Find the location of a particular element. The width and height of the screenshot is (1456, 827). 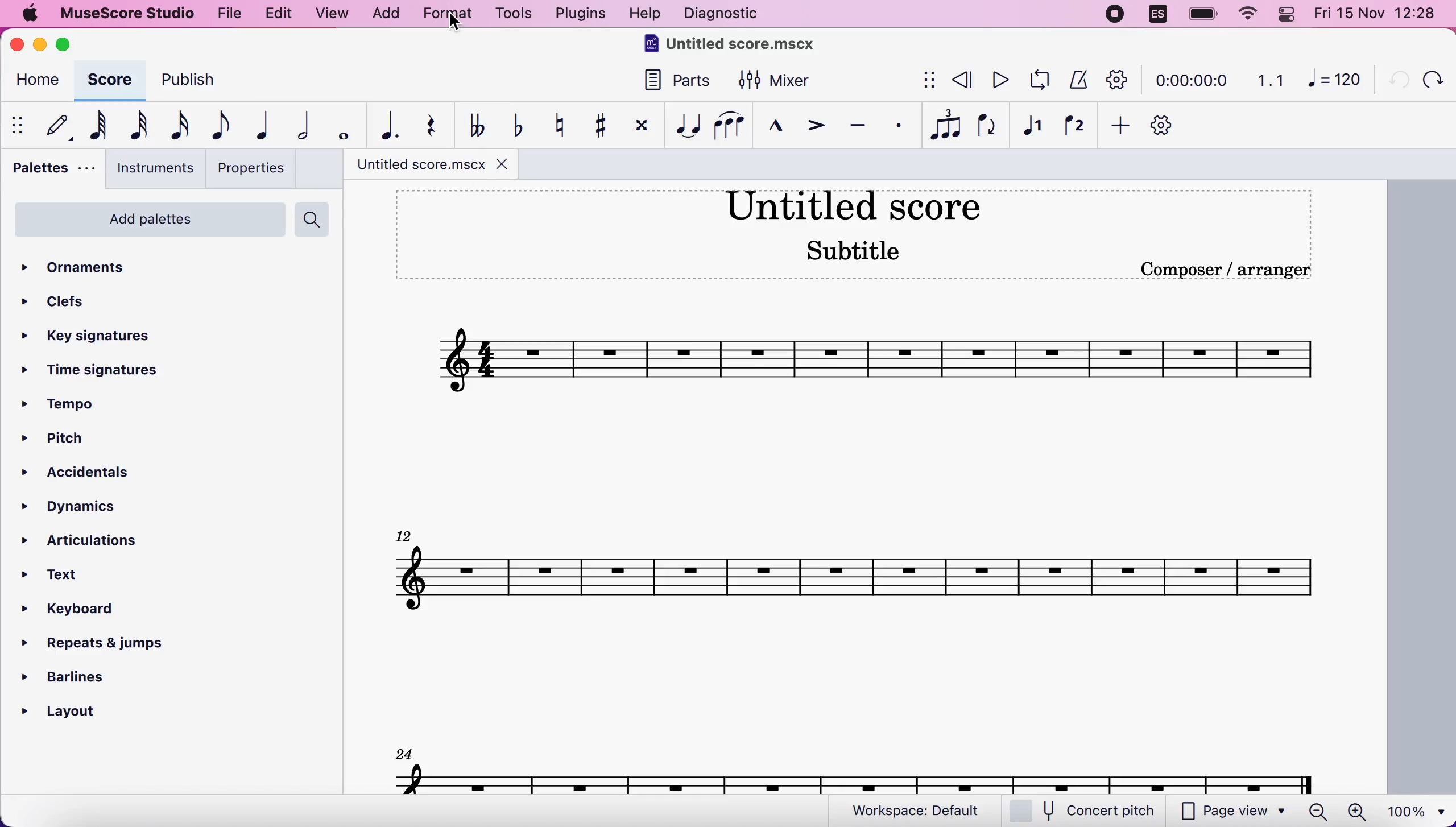

64th note is located at coordinates (98, 125).